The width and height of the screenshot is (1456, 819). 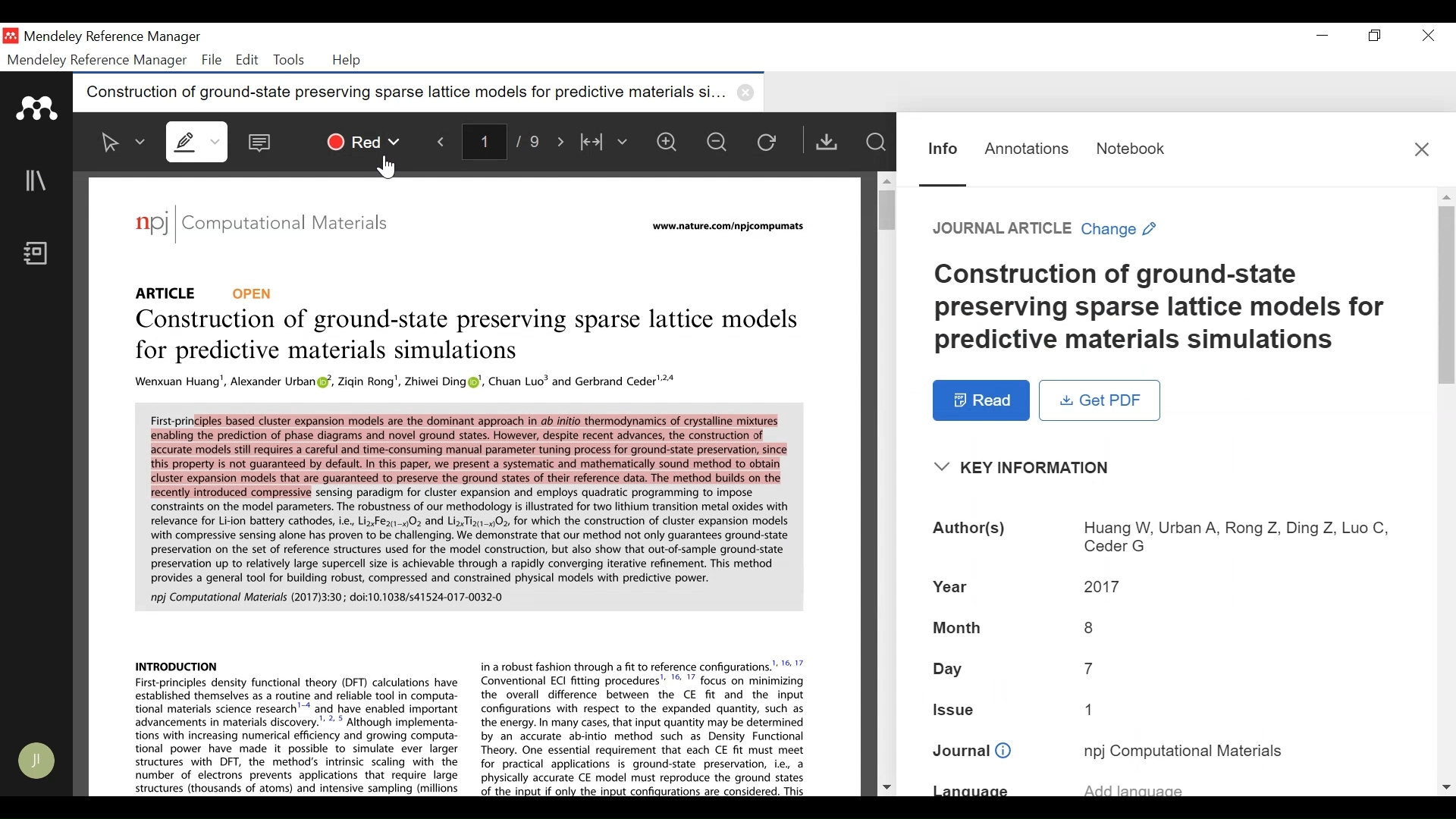 I want to click on Help, so click(x=352, y=61).